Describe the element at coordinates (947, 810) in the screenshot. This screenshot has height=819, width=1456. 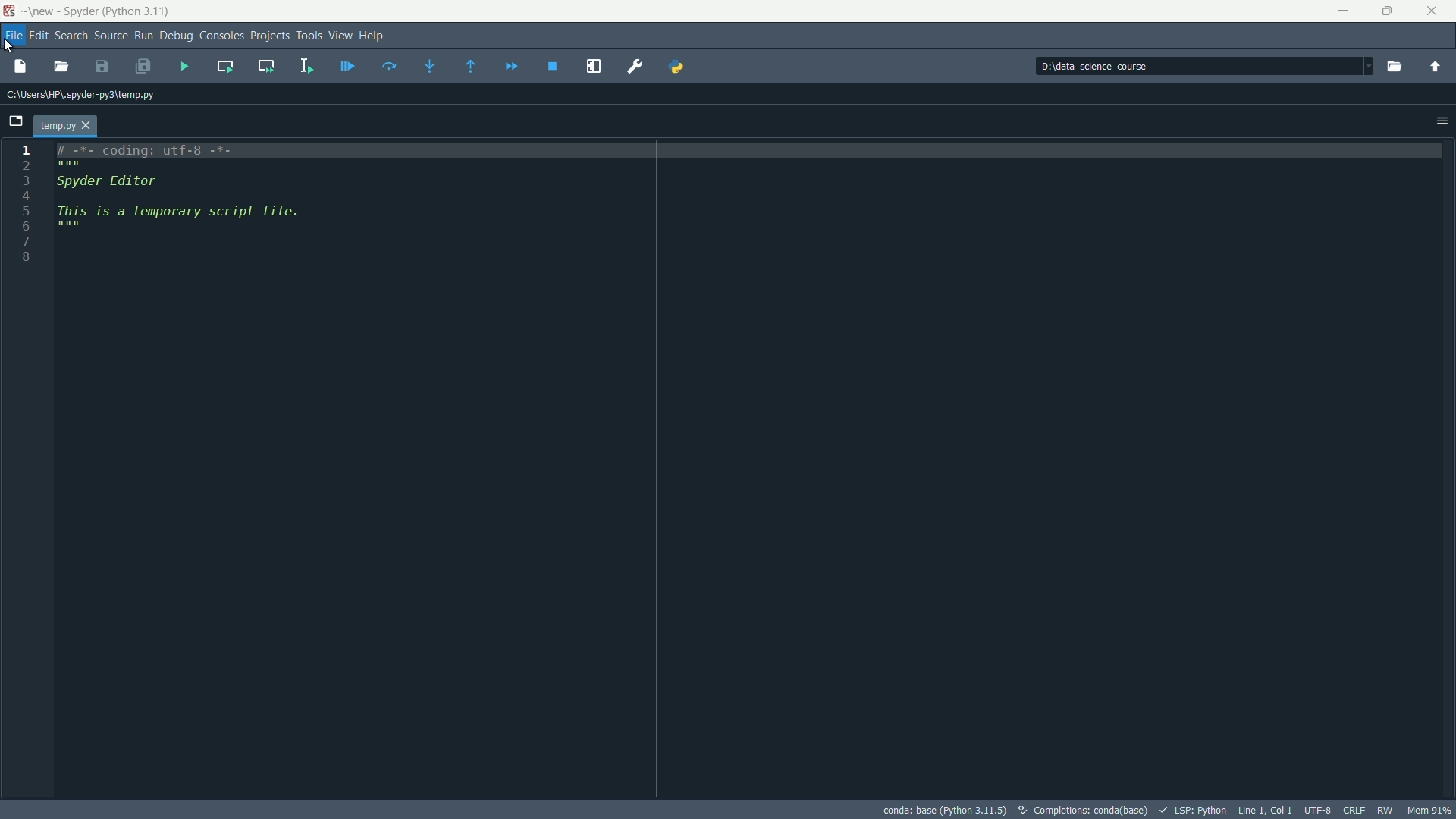
I see `python interpretor` at that location.